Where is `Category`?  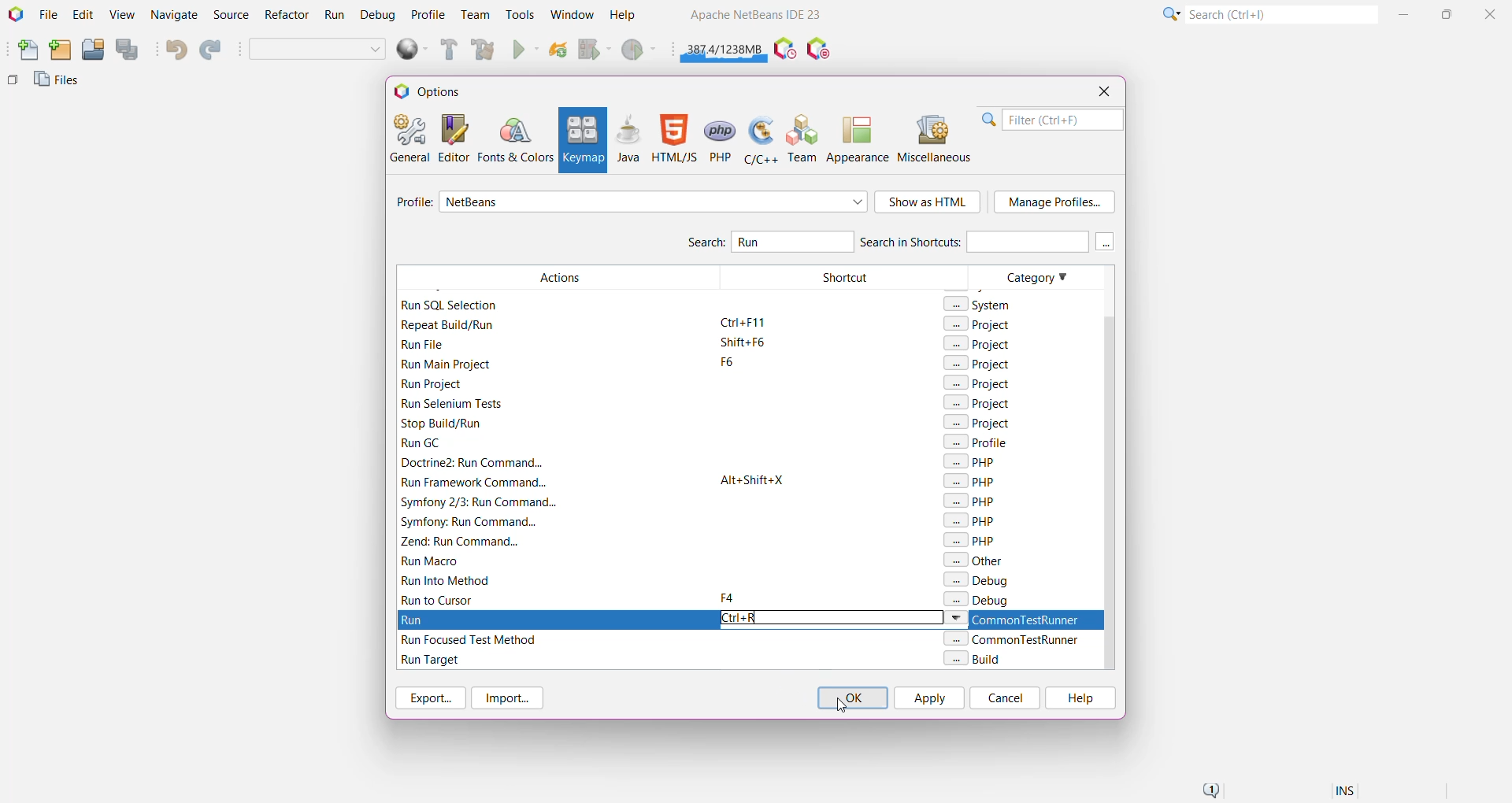
Category is located at coordinates (1032, 436).